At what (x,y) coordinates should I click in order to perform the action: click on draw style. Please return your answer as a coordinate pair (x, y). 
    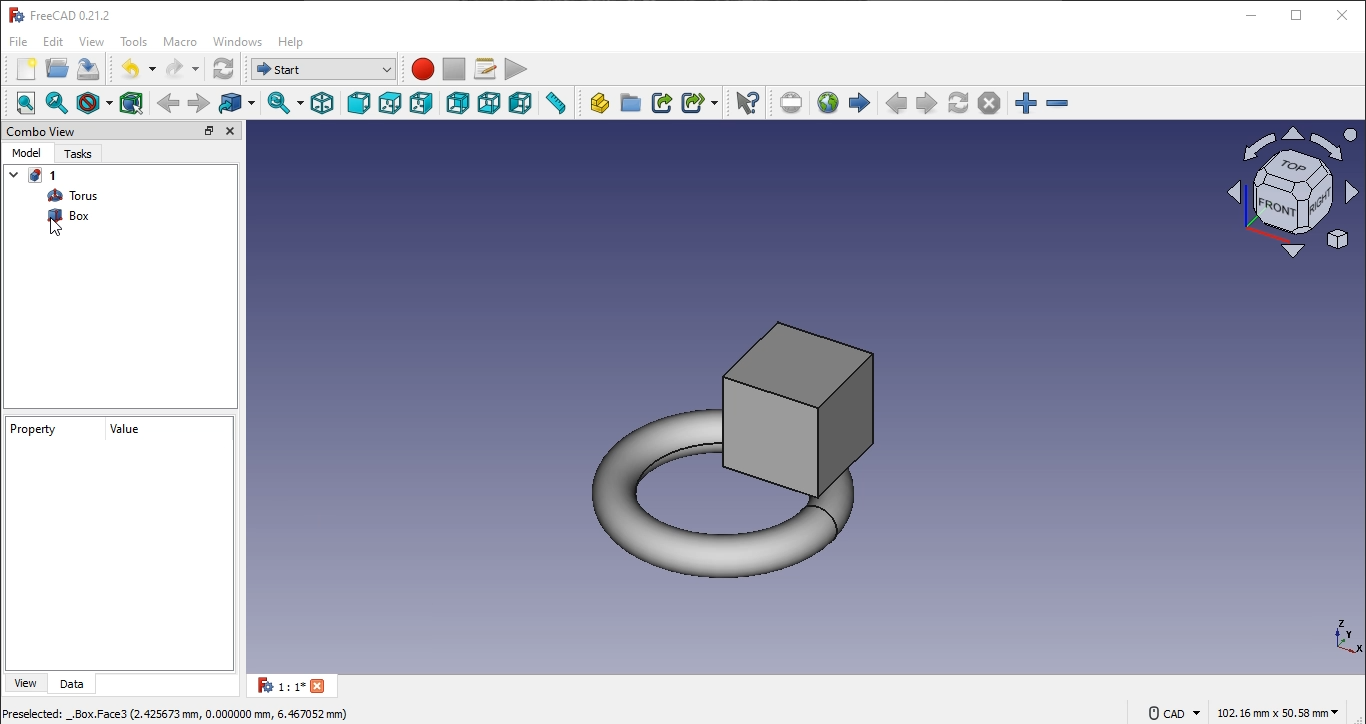
    Looking at the image, I should click on (96, 103).